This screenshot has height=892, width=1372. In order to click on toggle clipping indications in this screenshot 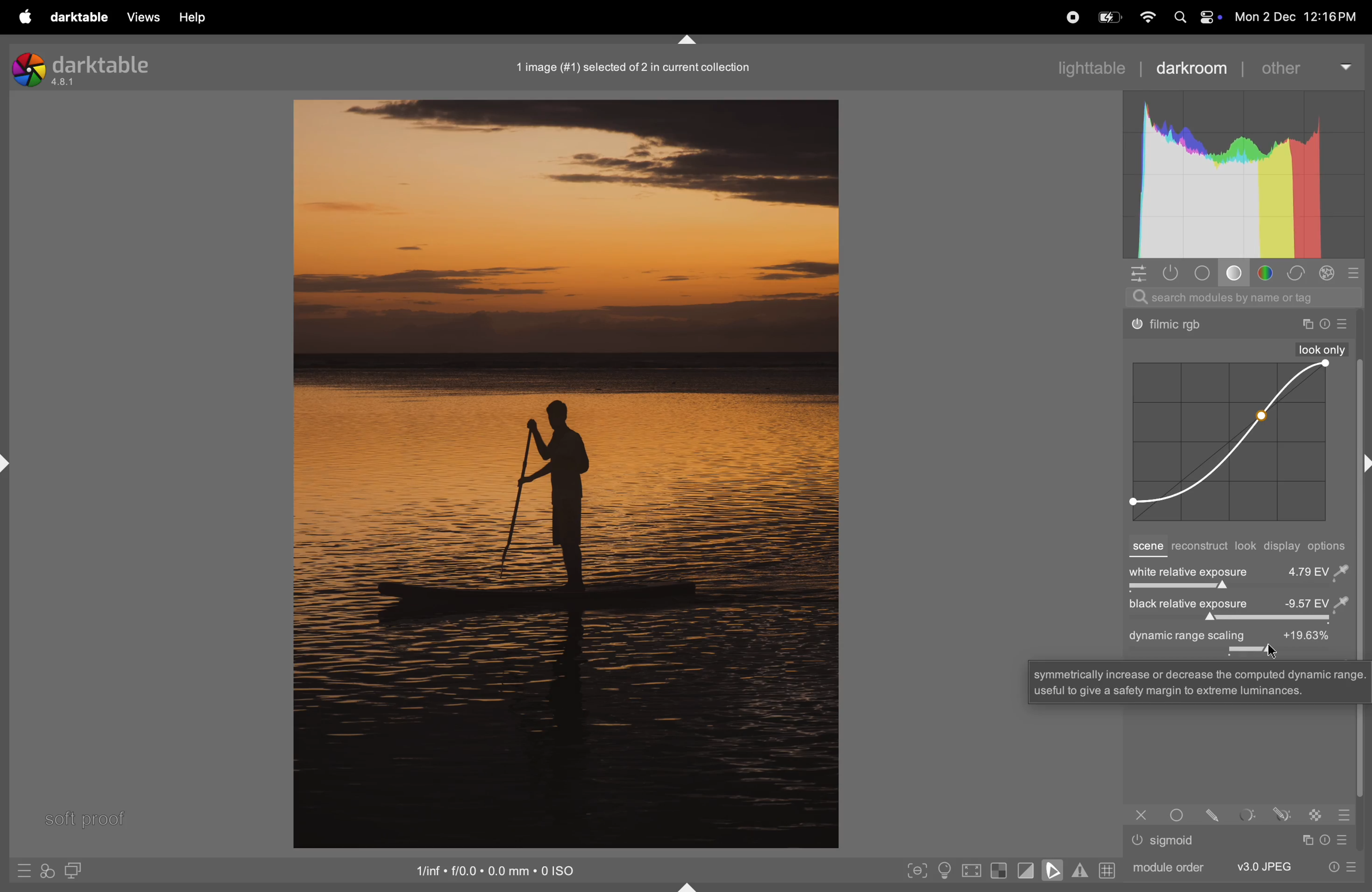, I will do `click(1026, 870)`.